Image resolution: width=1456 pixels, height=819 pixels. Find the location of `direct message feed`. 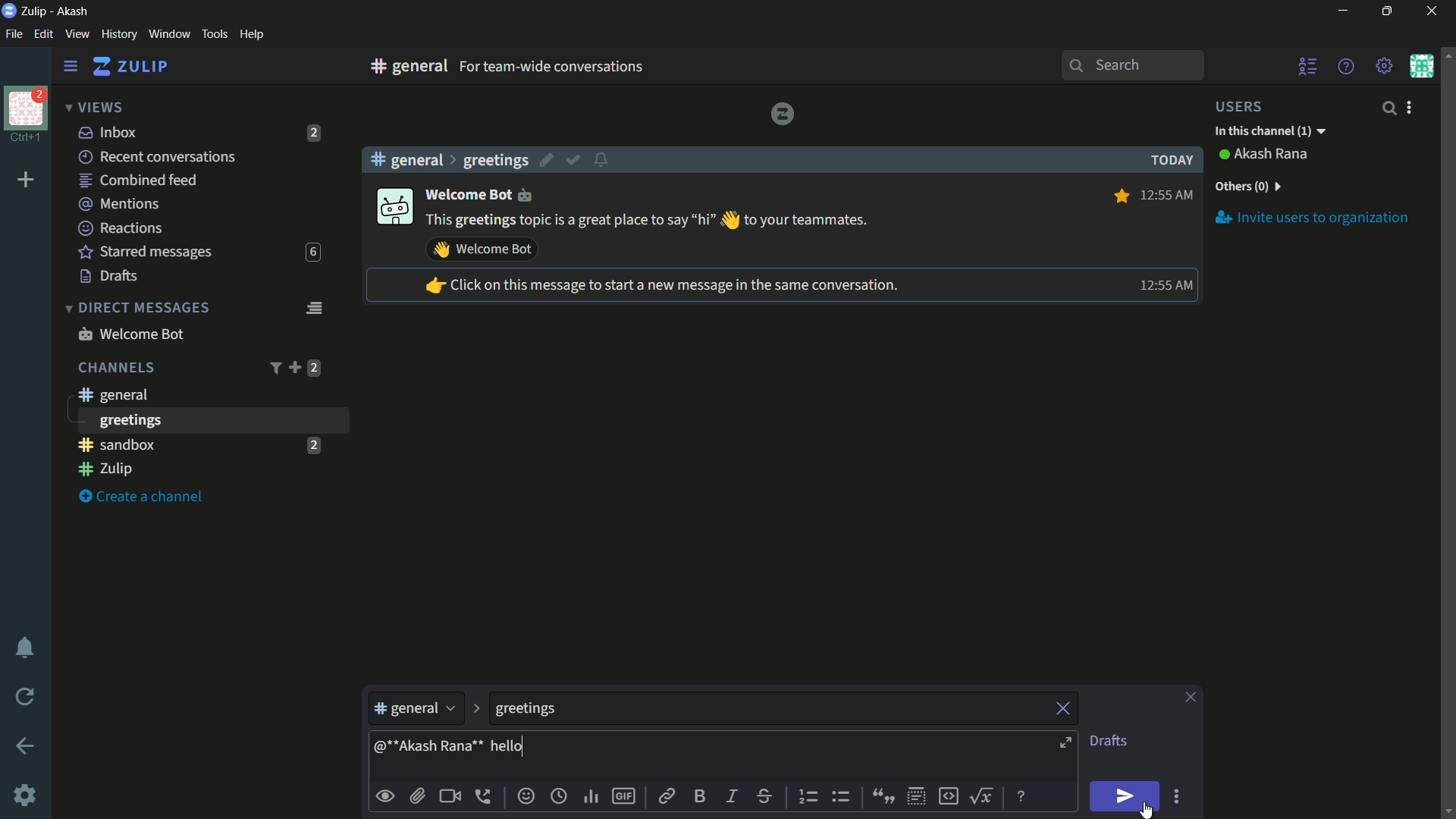

direct message feed is located at coordinates (313, 306).